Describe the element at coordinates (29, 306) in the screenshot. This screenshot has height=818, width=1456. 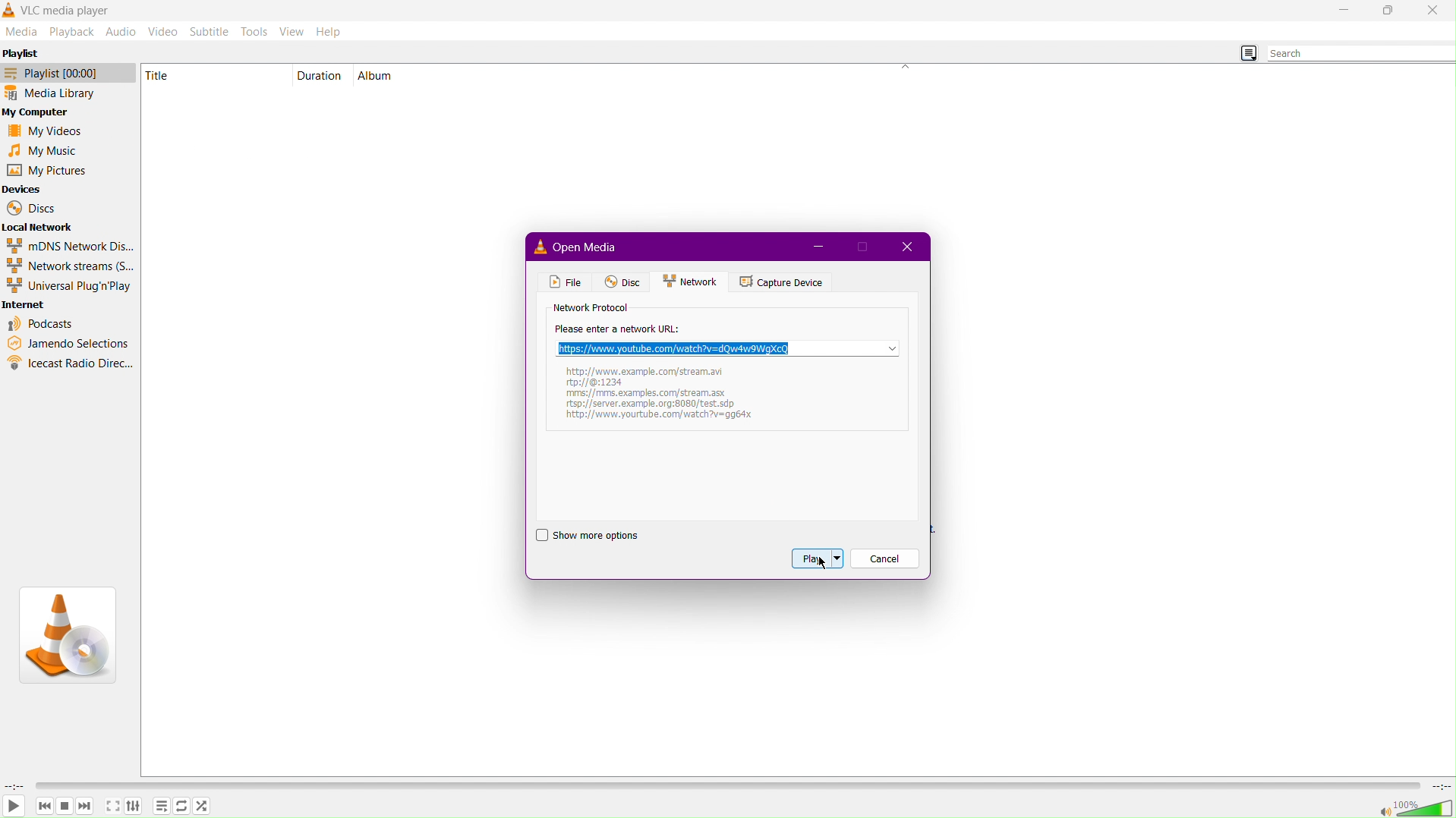
I see `Internet` at that location.